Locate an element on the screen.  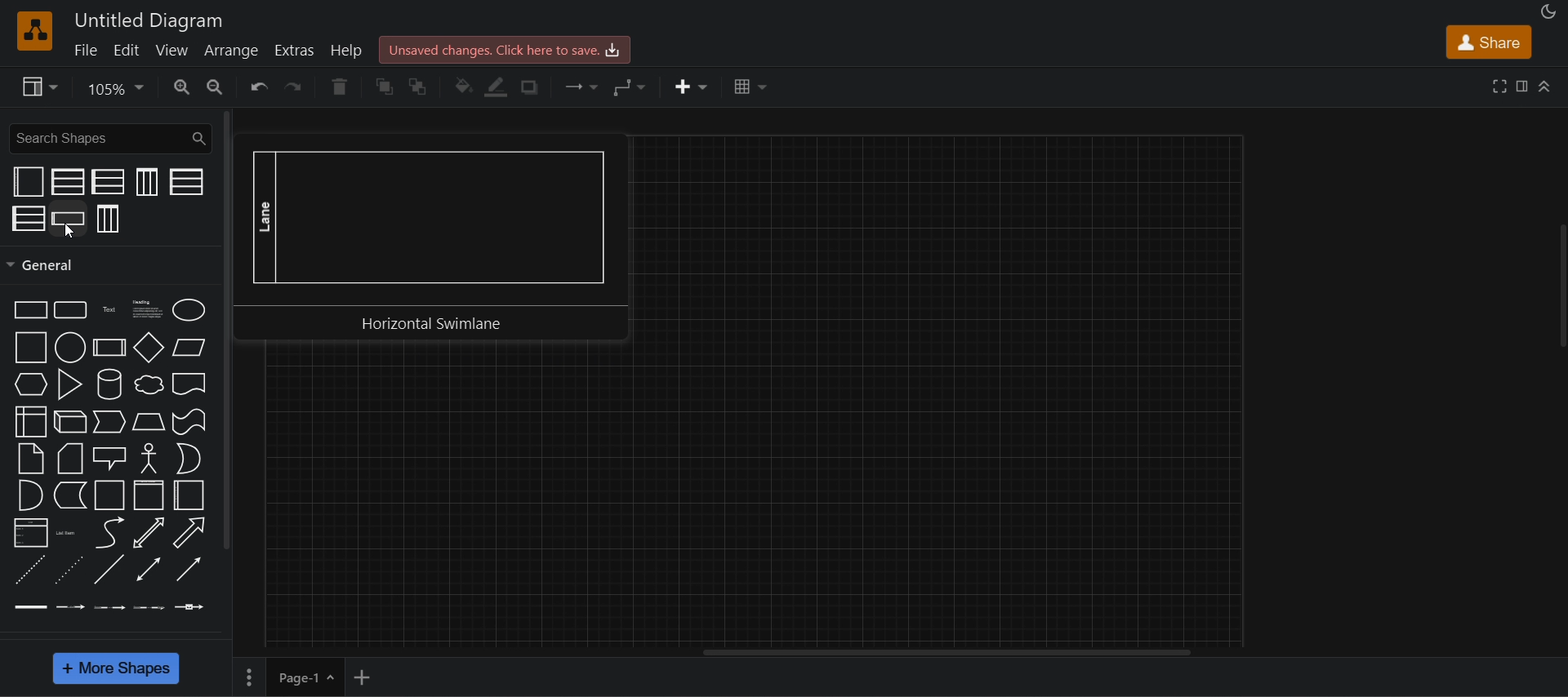
page 1 is located at coordinates (305, 677).